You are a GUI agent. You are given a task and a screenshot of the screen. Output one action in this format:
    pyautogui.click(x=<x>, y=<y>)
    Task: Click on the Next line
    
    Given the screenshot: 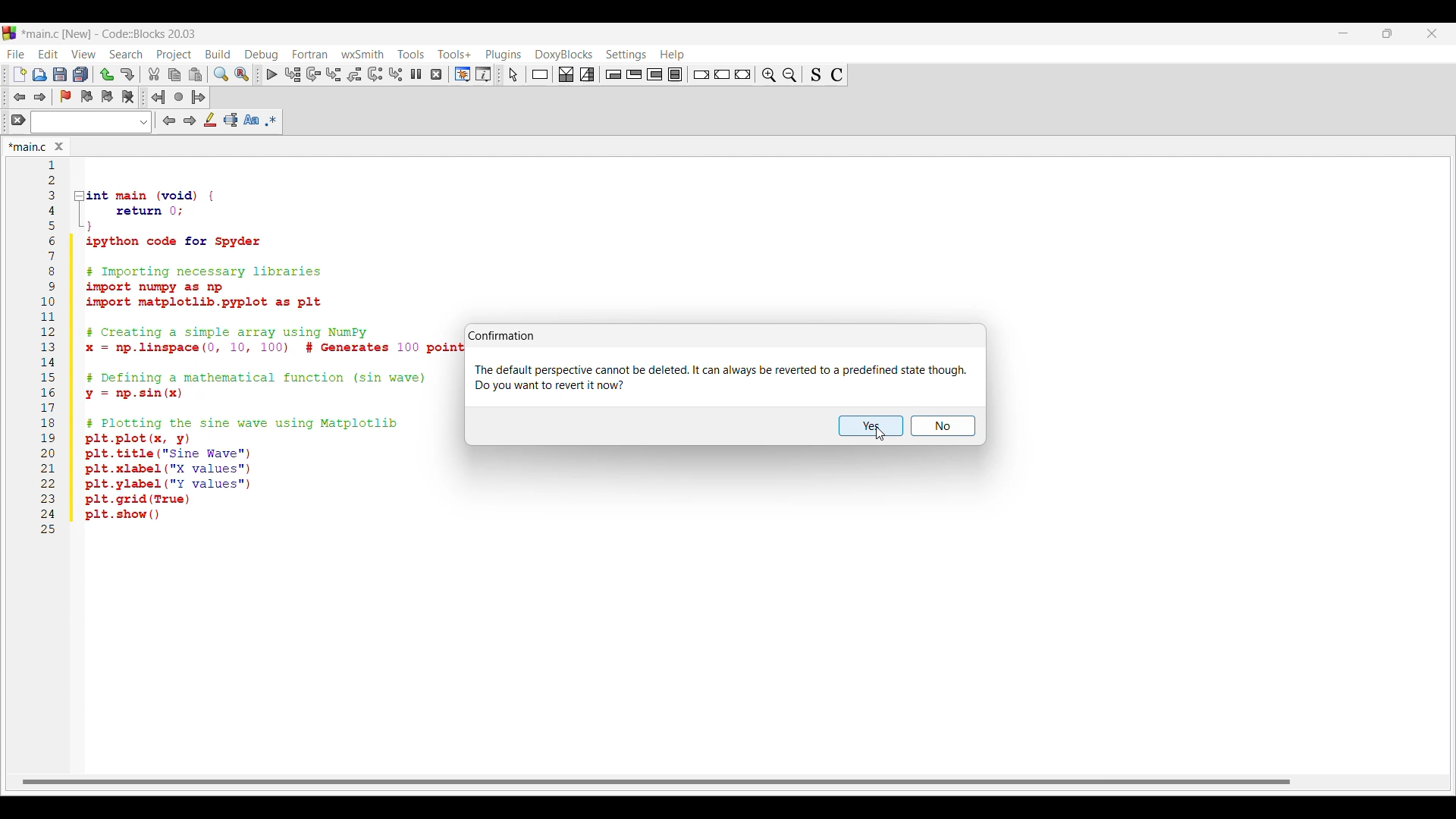 What is the action you would take?
    pyautogui.click(x=314, y=74)
    